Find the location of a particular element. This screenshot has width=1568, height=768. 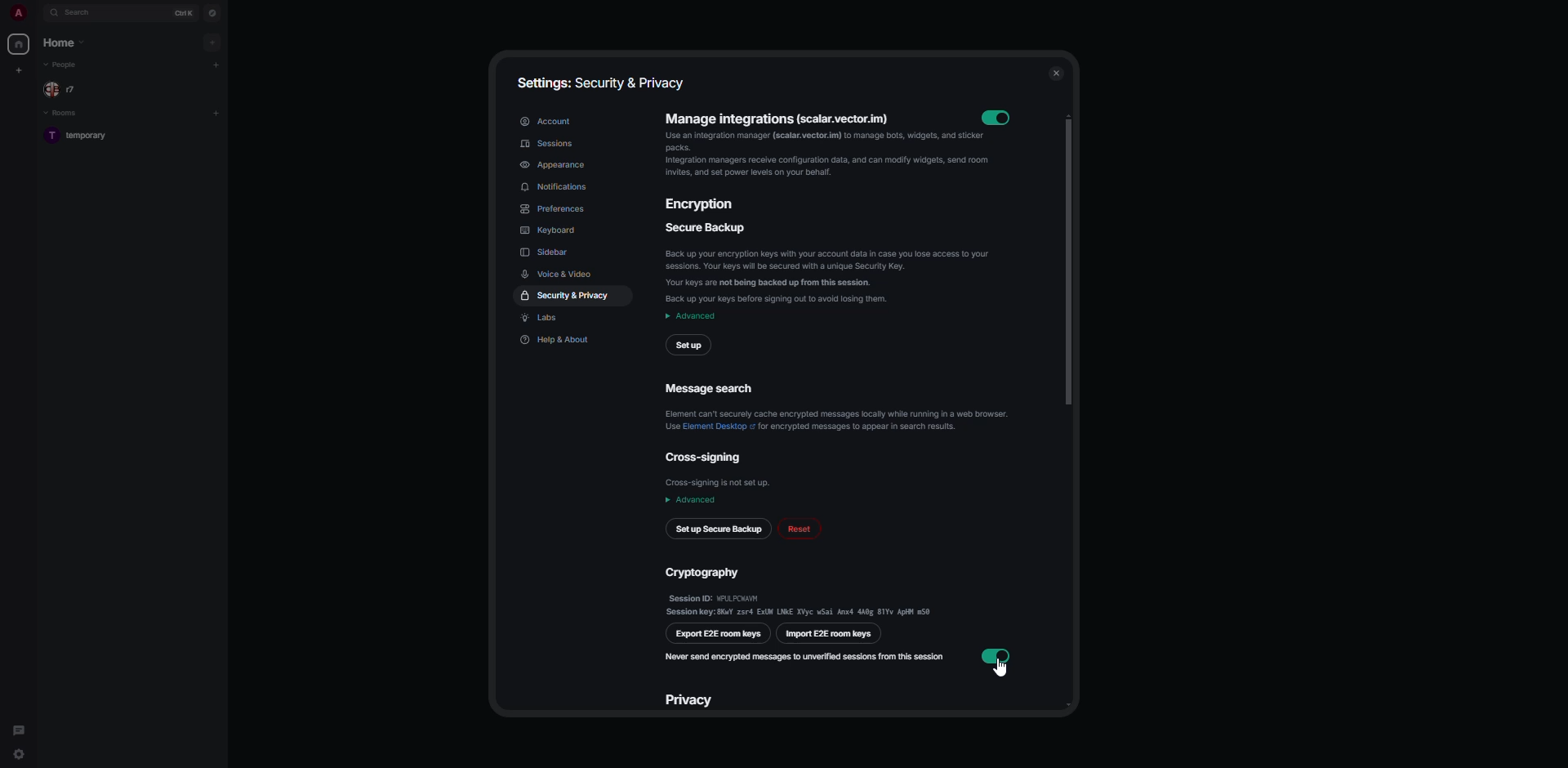

threads is located at coordinates (20, 726).